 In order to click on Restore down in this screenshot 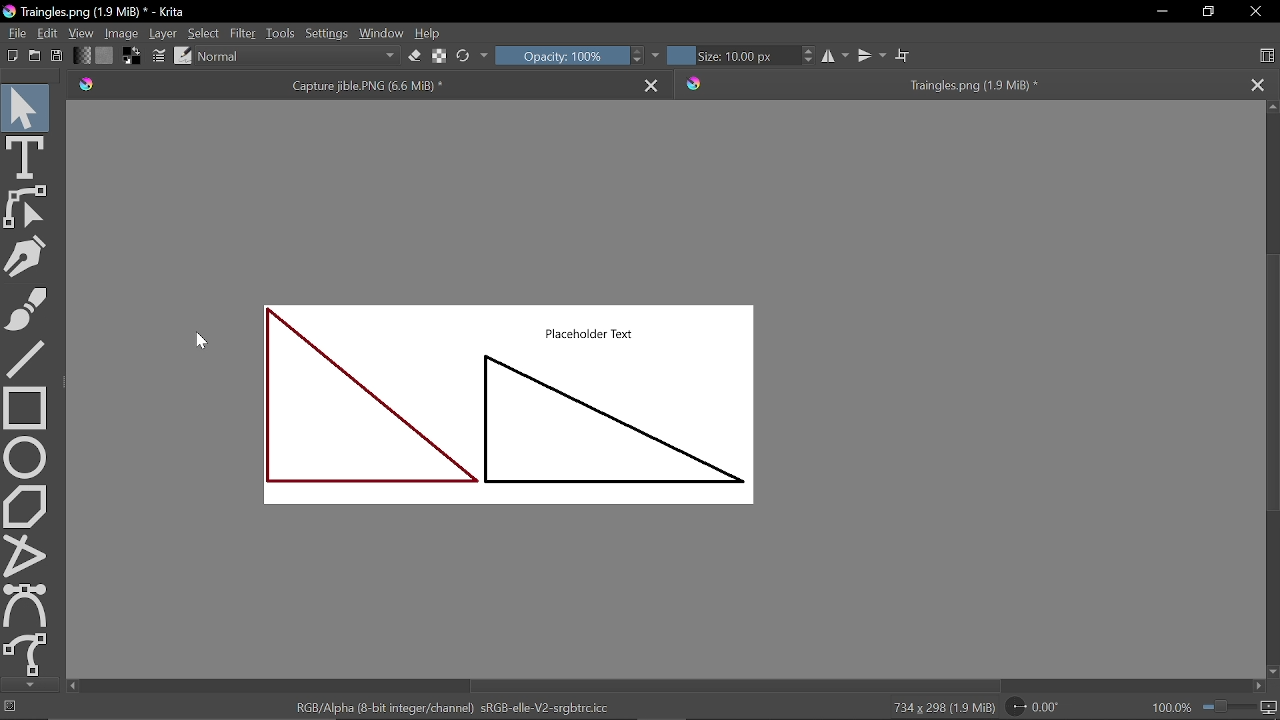, I will do `click(1206, 12)`.